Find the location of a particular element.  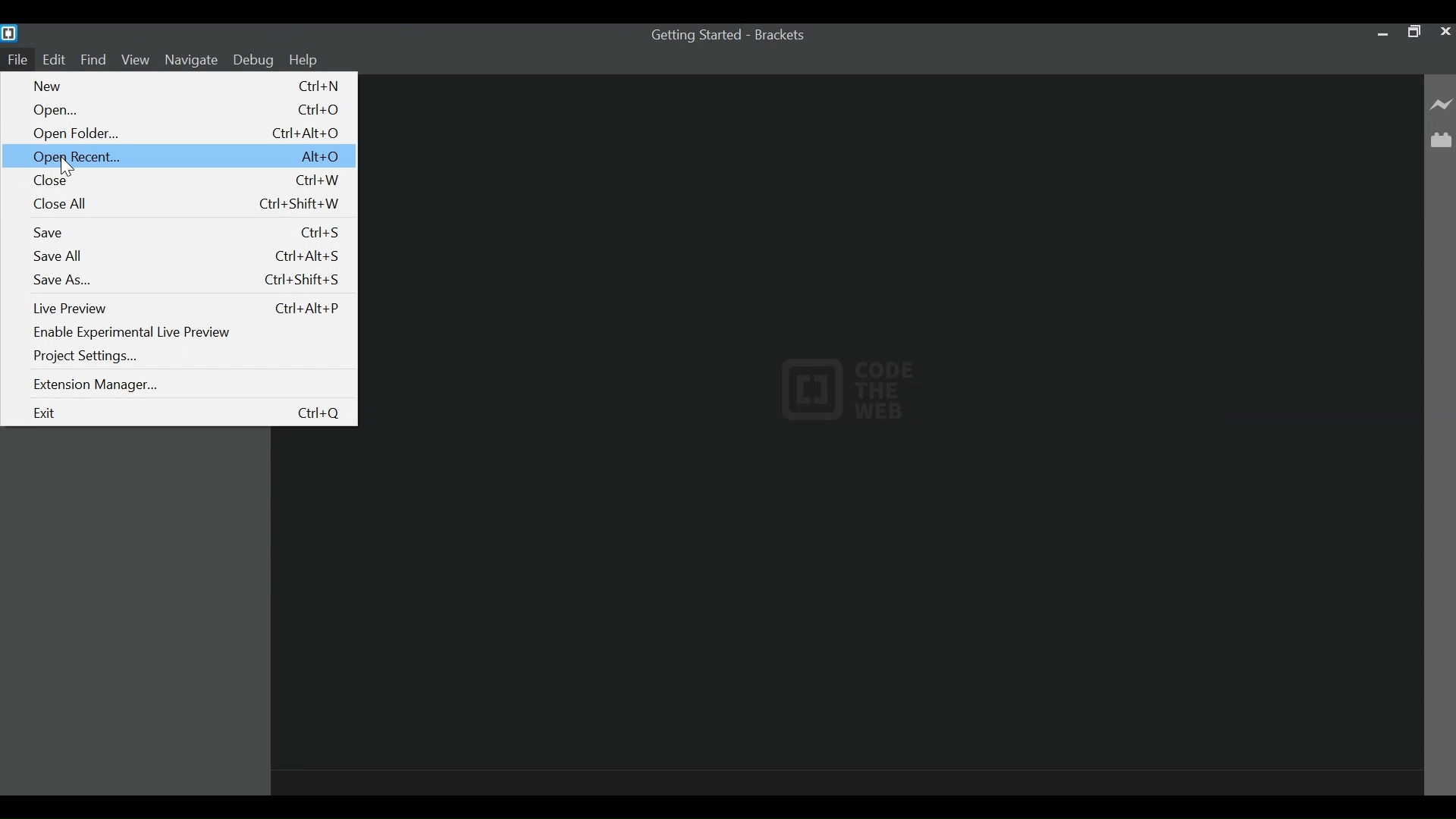

Close is located at coordinates (1444, 31).